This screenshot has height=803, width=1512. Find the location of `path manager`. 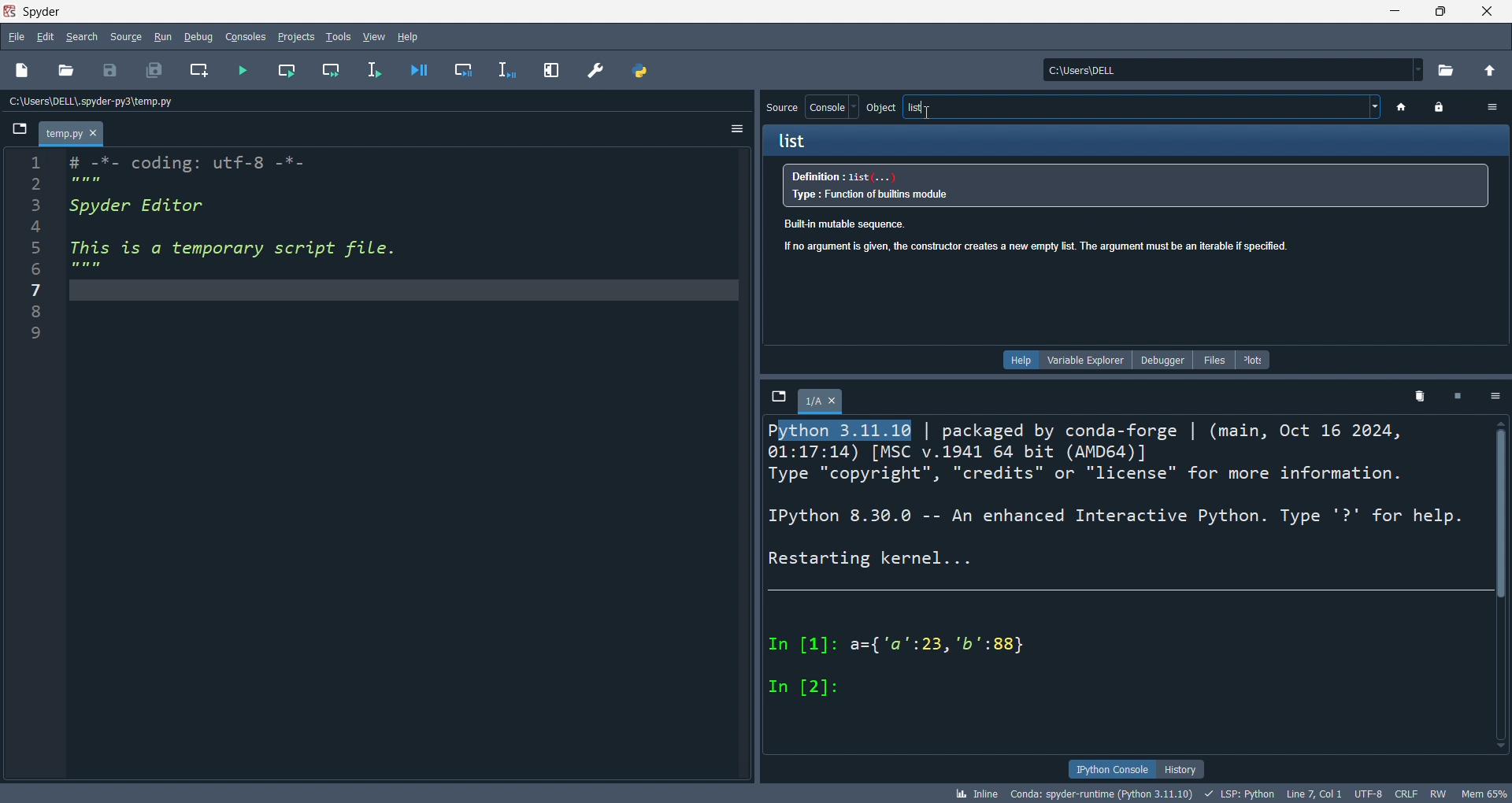

path manager is located at coordinates (637, 71).